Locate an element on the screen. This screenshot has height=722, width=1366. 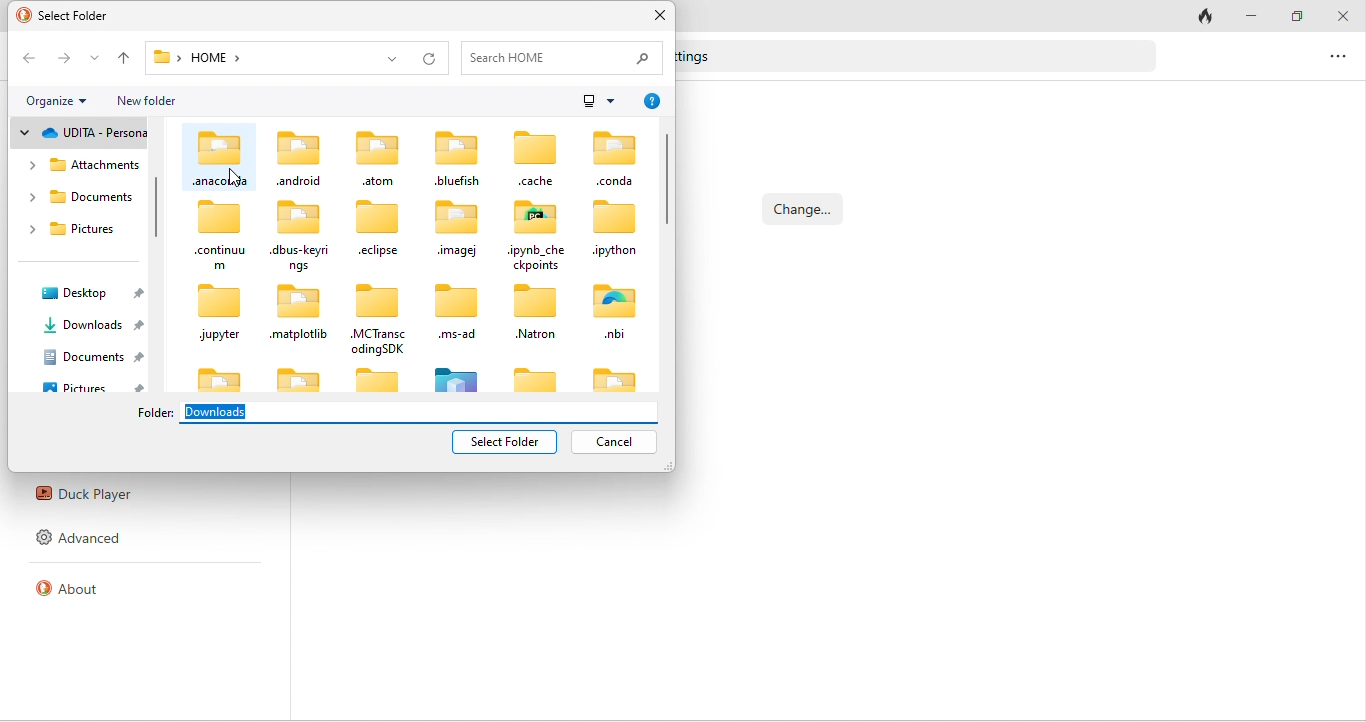
vertical scroll bar is located at coordinates (160, 209).